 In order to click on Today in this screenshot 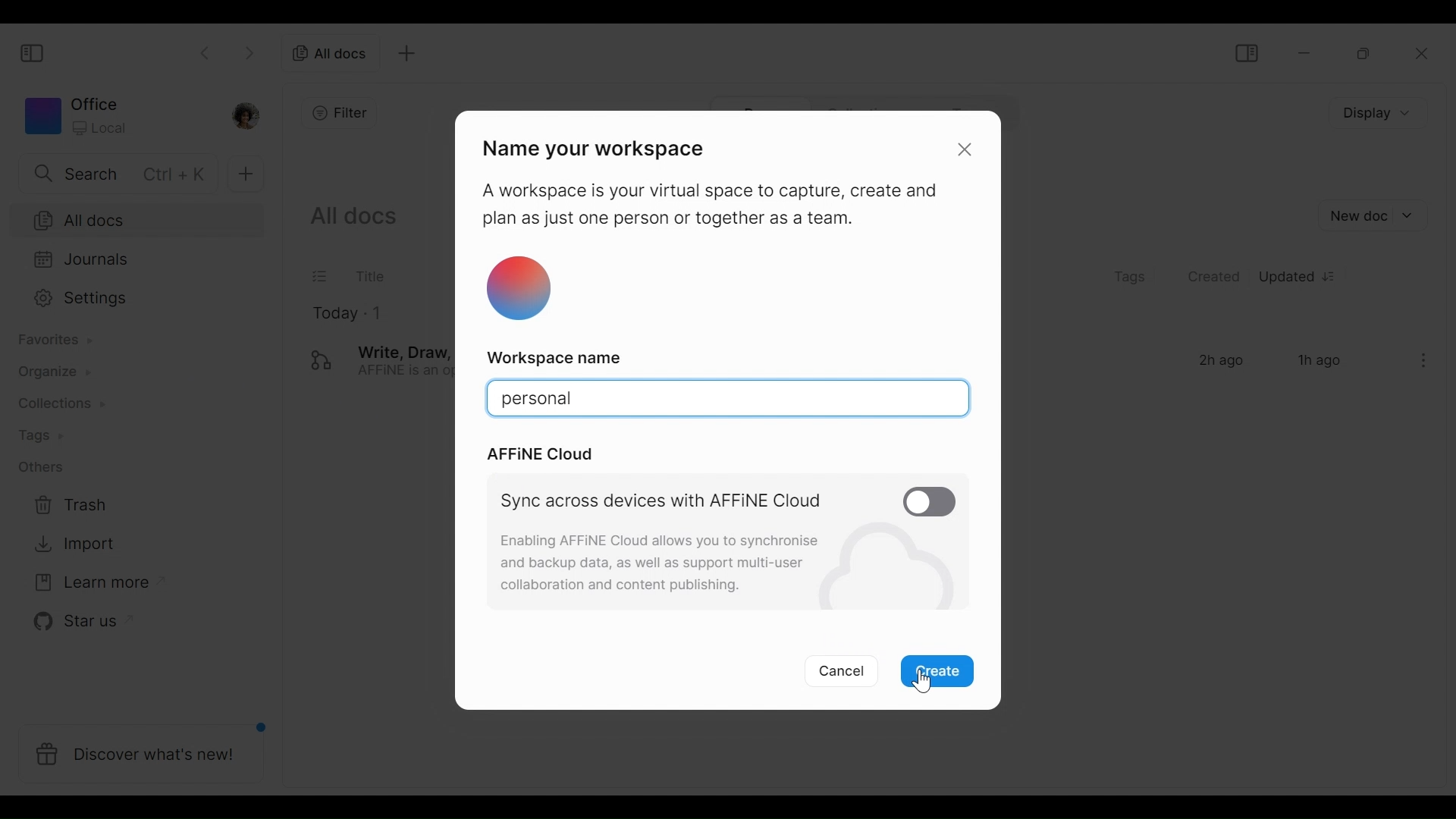, I will do `click(333, 315)`.